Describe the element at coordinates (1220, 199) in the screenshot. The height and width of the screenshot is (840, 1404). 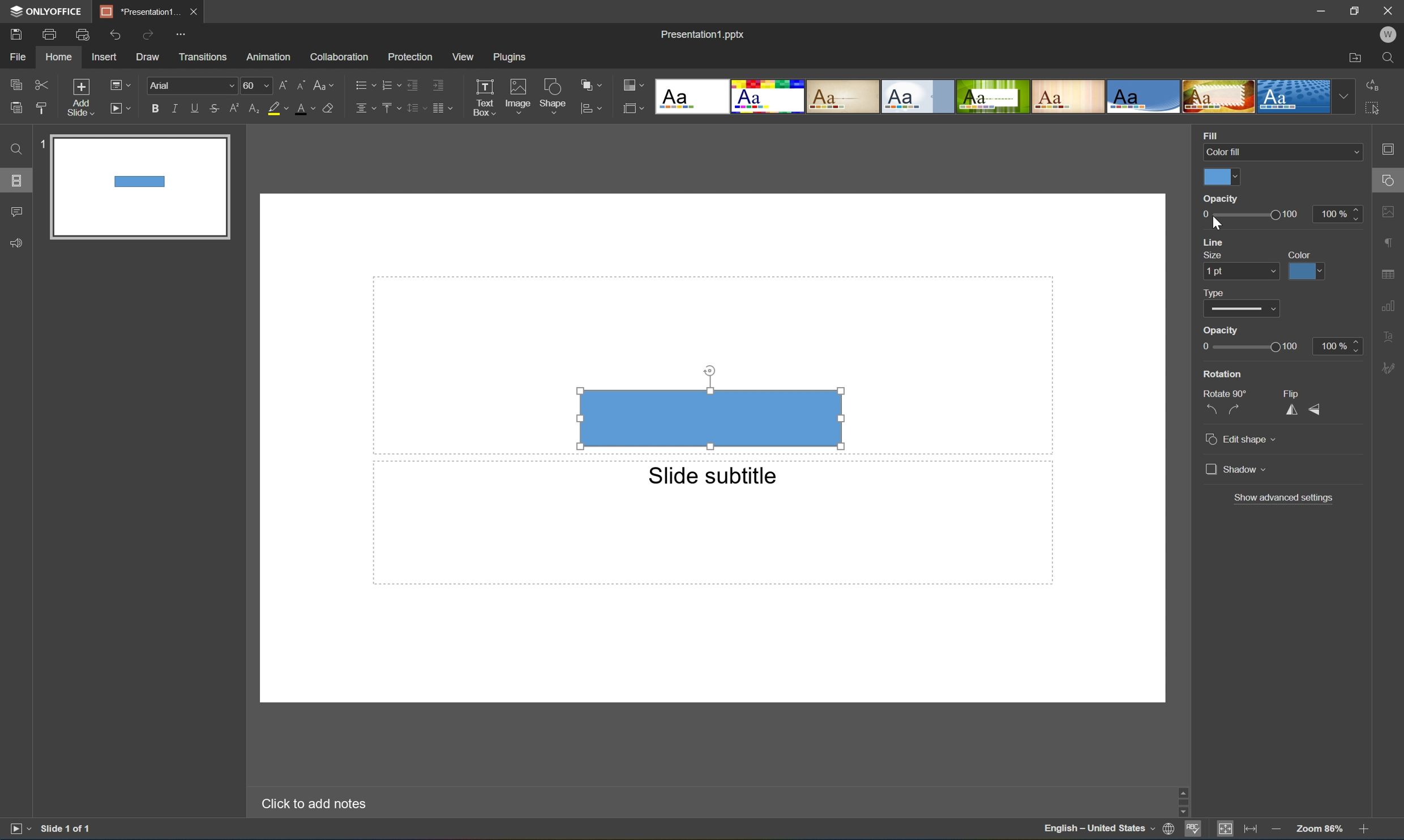
I see `0` at that location.